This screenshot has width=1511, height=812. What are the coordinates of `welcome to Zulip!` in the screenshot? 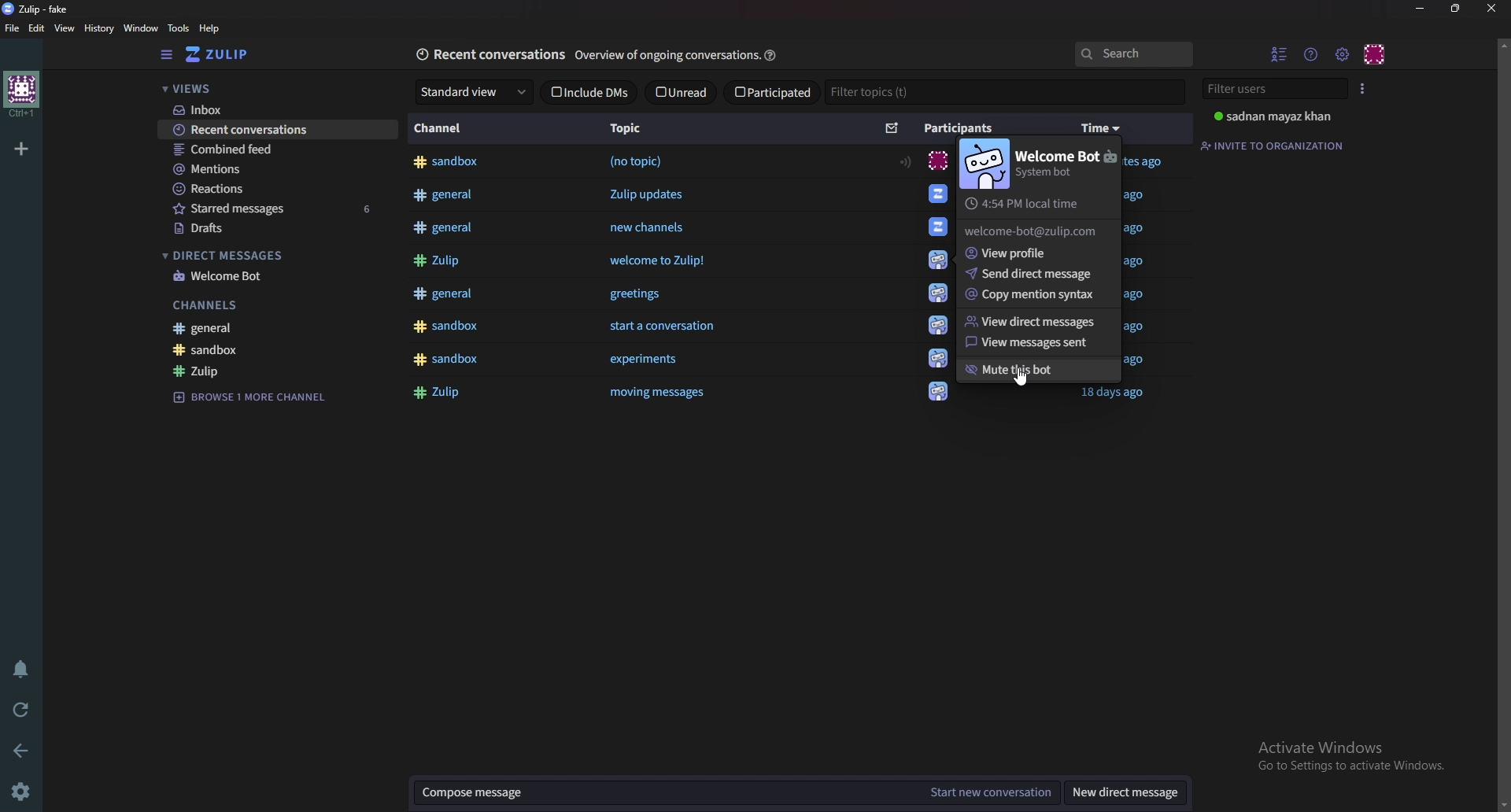 It's located at (667, 264).